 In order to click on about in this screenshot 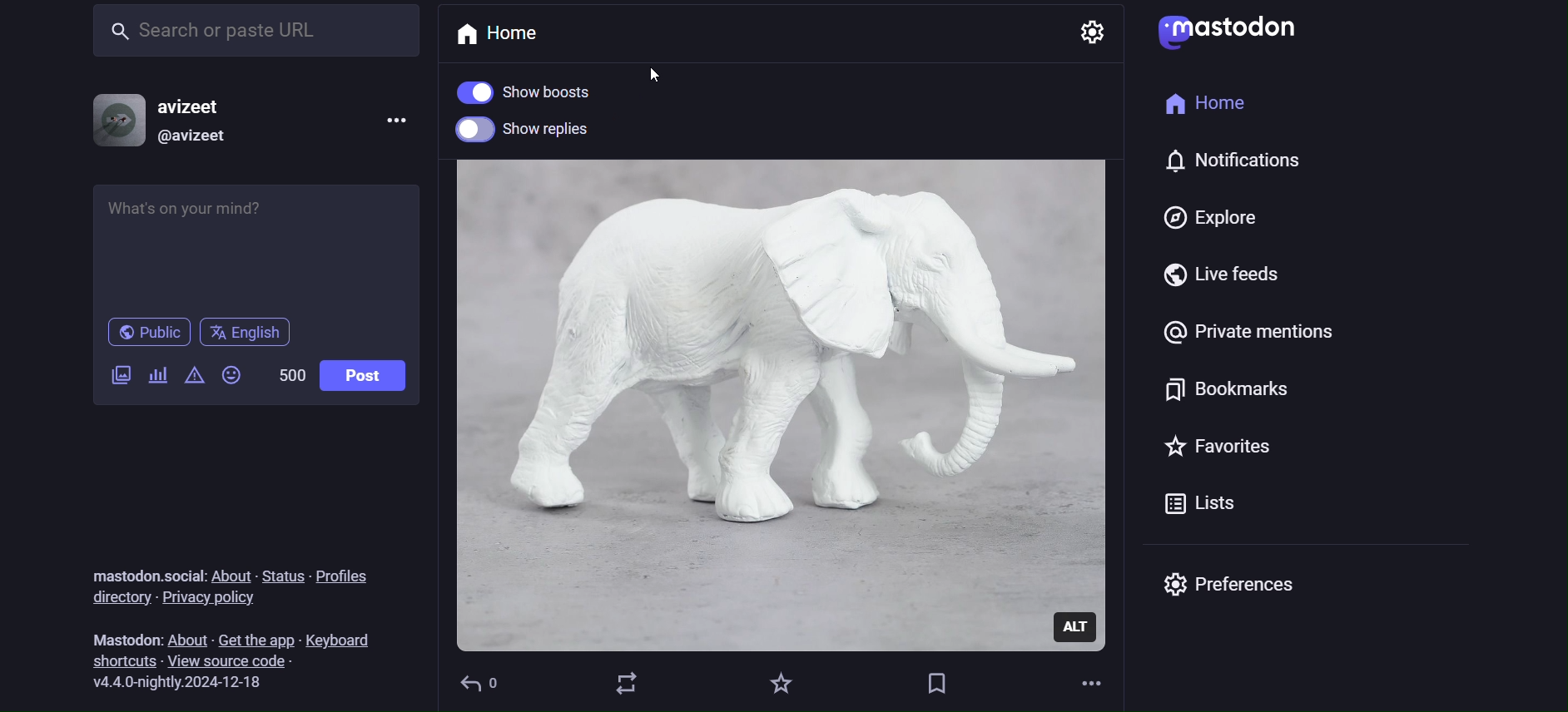, I will do `click(230, 576)`.